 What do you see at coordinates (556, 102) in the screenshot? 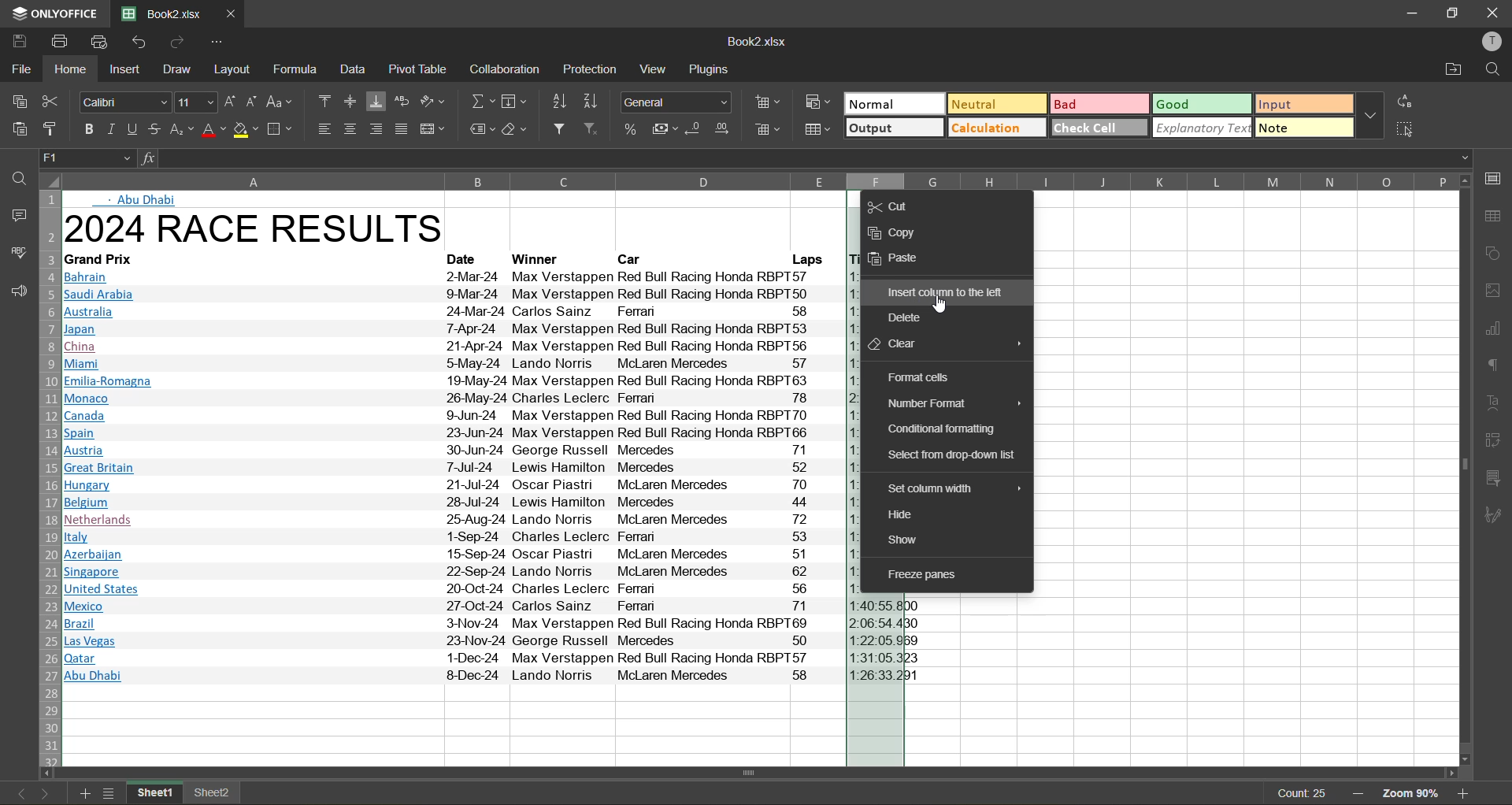
I see `sort ascending` at bounding box center [556, 102].